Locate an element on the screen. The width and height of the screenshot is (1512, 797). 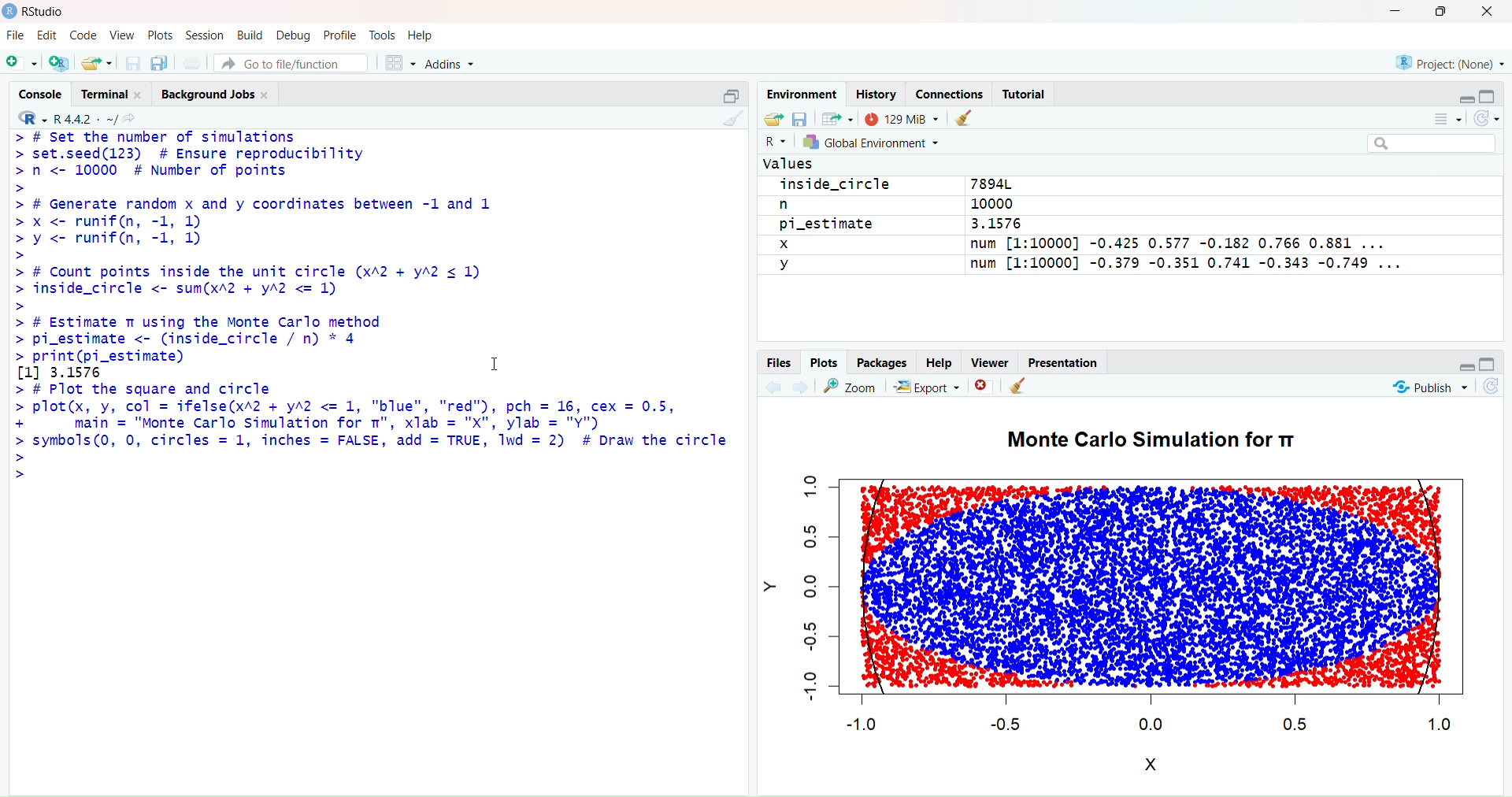
Global Environment is located at coordinates (879, 143).